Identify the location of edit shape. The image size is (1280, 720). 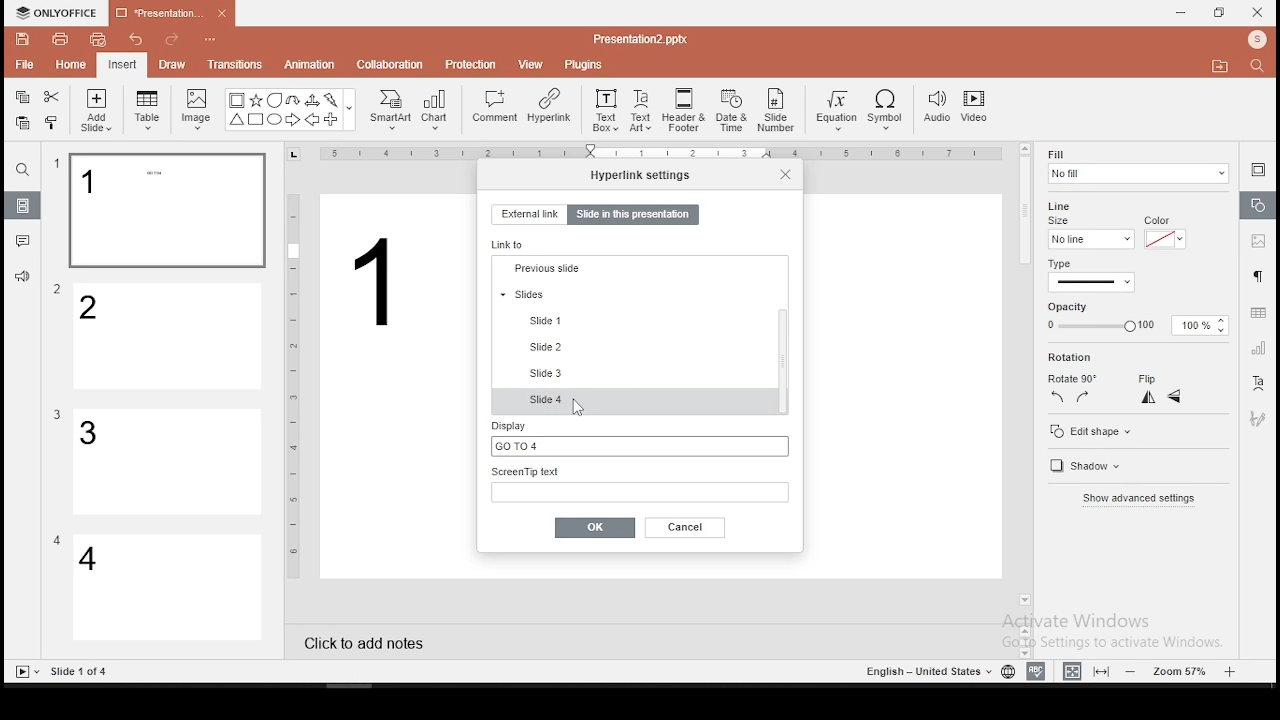
(1089, 431).